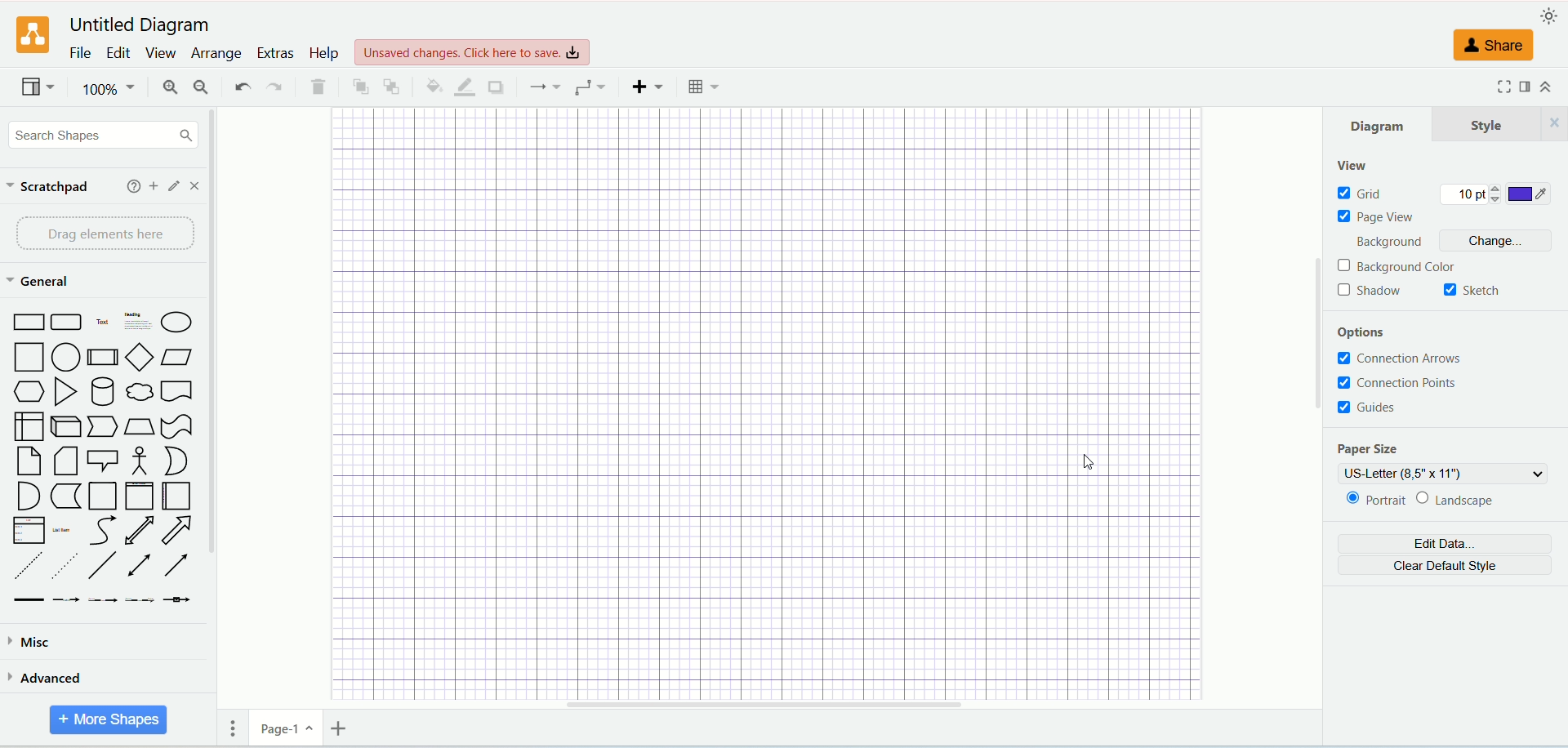 The image size is (1568, 748). What do you see at coordinates (391, 87) in the screenshot?
I see `to back` at bounding box center [391, 87].